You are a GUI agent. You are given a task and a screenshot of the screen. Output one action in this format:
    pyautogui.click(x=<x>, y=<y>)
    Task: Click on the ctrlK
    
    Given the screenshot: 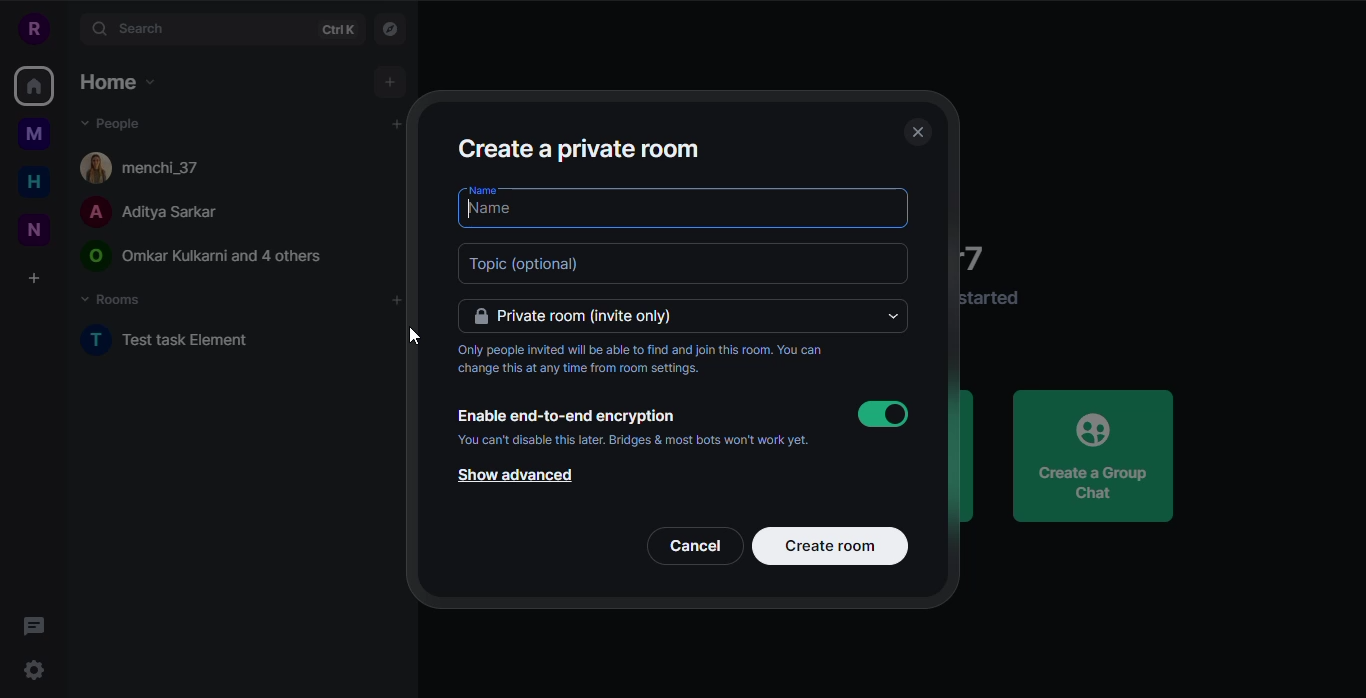 What is the action you would take?
    pyautogui.click(x=337, y=31)
    